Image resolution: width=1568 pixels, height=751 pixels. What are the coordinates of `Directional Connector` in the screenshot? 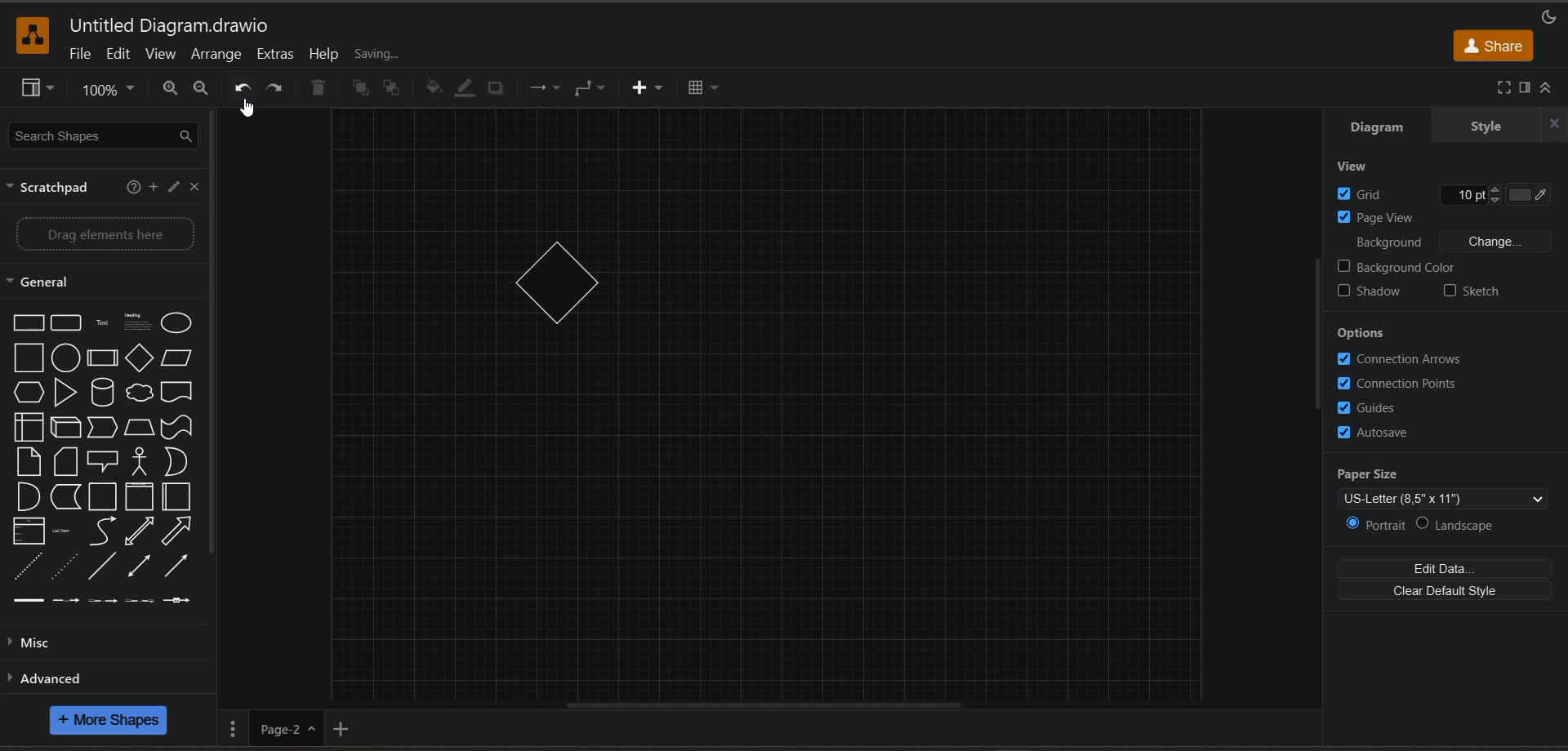 It's located at (176, 569).